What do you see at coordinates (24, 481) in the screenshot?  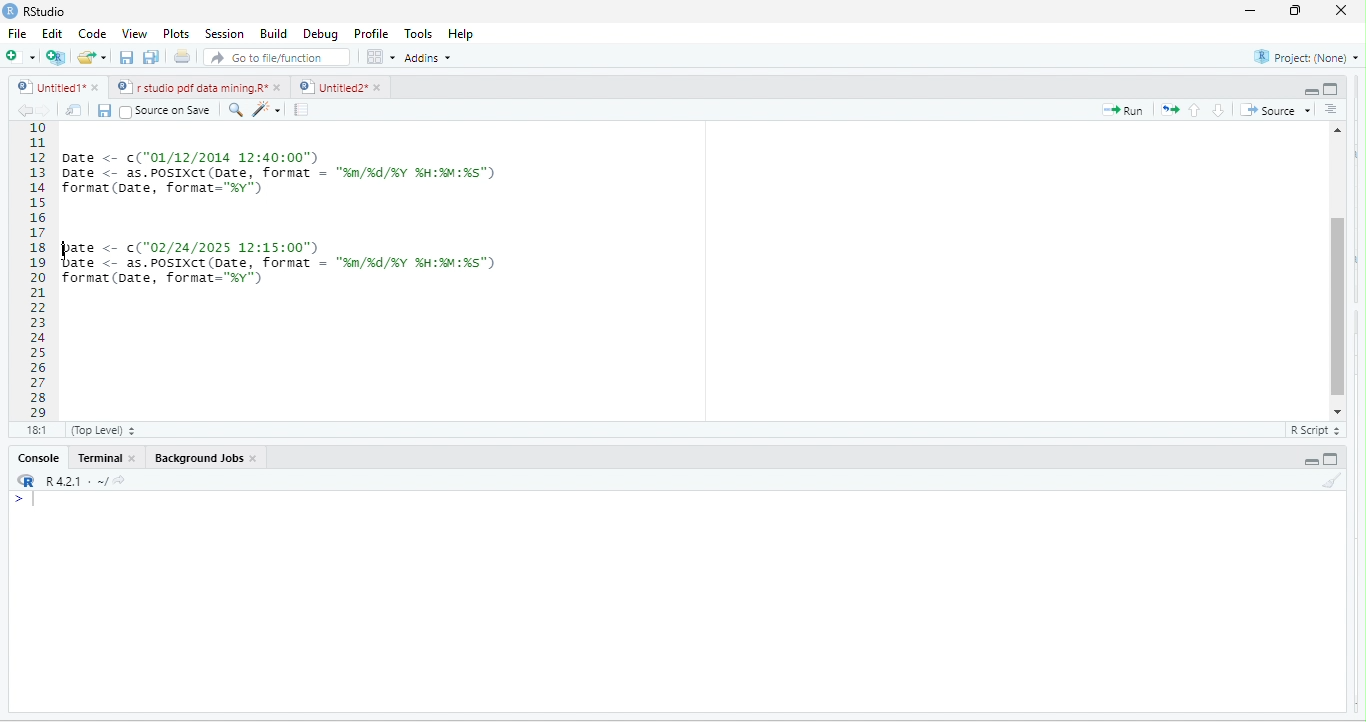 I see `rs studio logo` at bounding box center [24, 481].